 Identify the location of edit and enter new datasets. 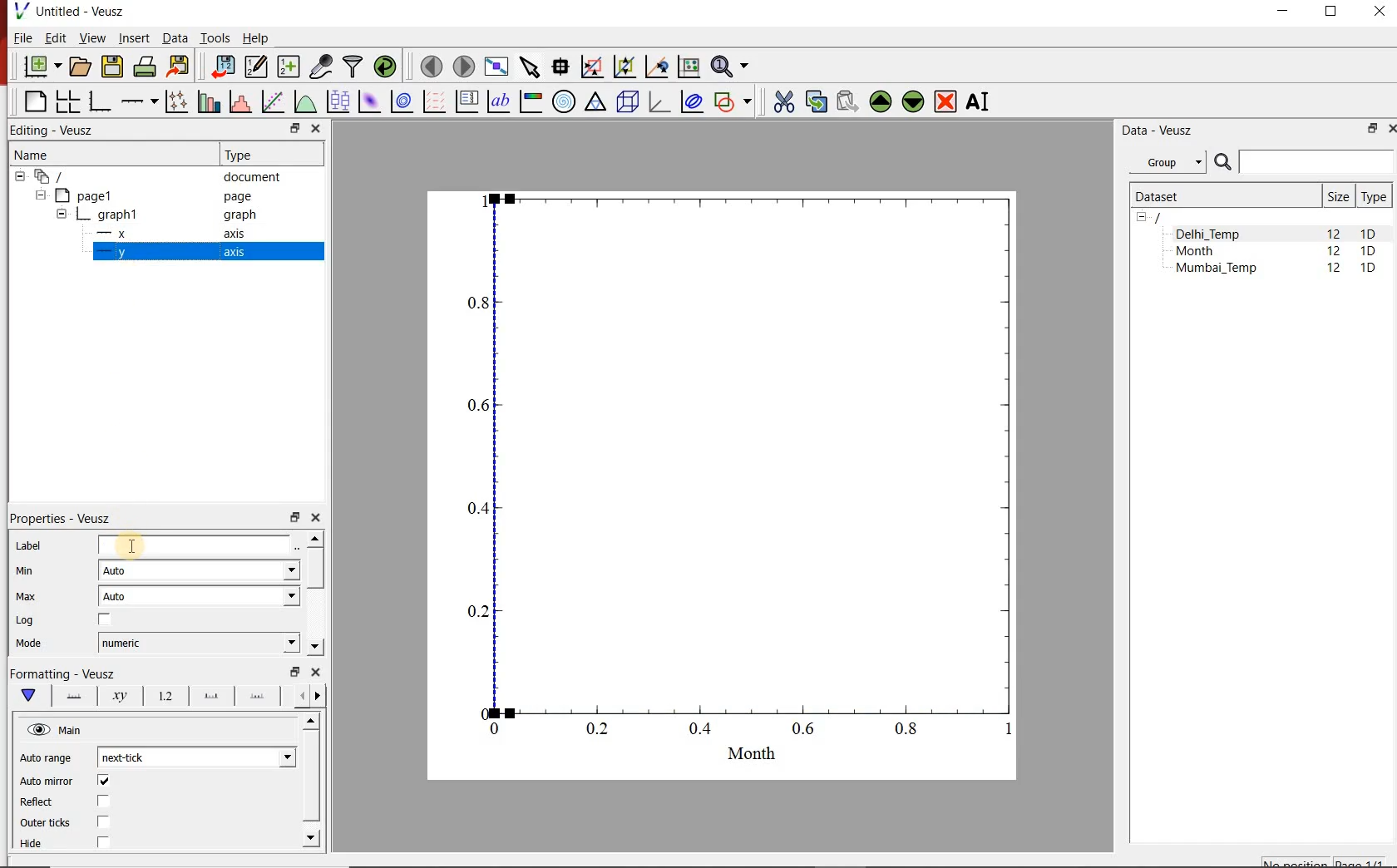
(255, 67).